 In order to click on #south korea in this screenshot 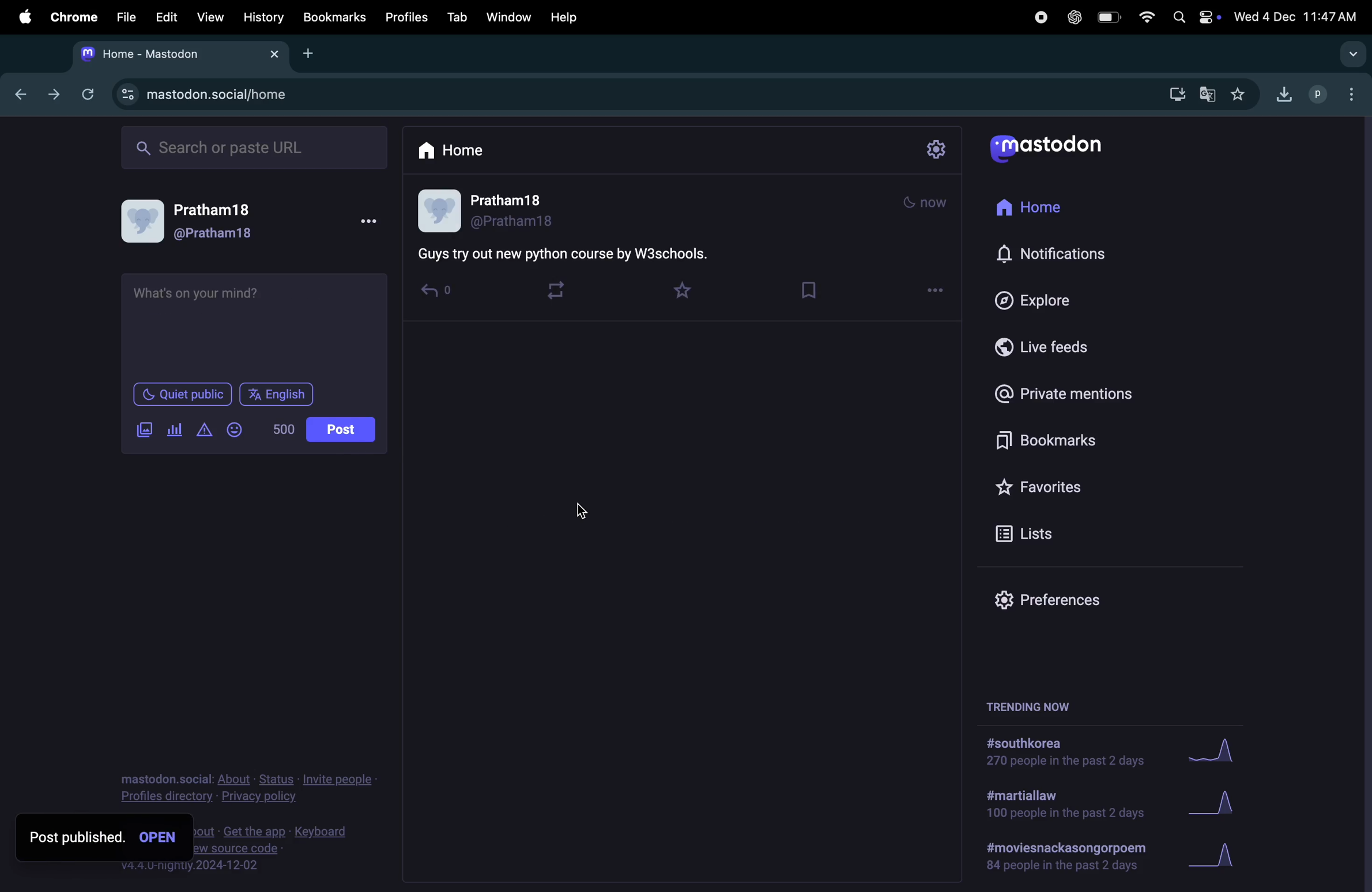, I will do `click(1062, 752)`.